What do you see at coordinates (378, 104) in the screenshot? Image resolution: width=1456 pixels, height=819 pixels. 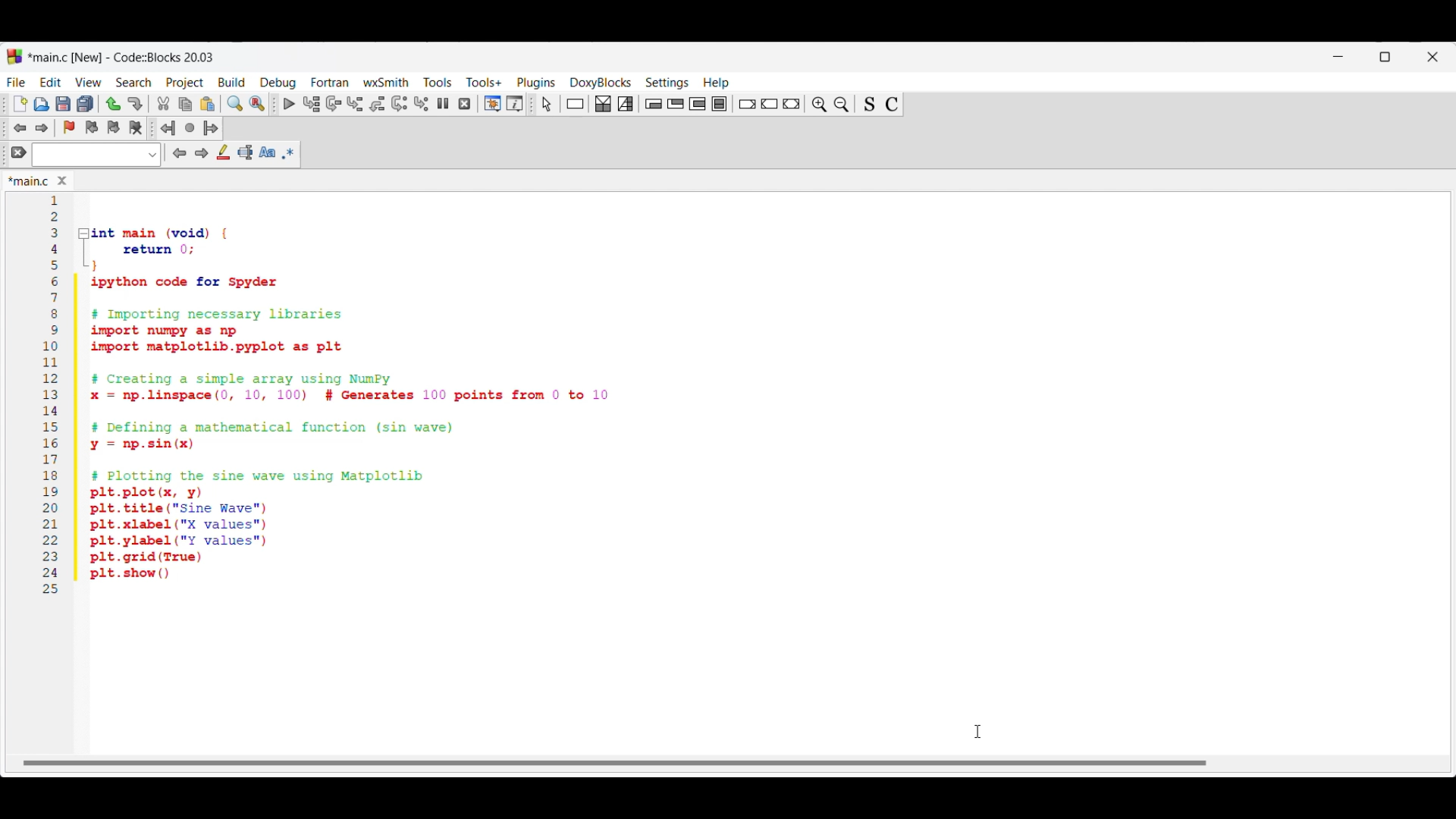 I see `Step out` at bounding box center [378, 104].